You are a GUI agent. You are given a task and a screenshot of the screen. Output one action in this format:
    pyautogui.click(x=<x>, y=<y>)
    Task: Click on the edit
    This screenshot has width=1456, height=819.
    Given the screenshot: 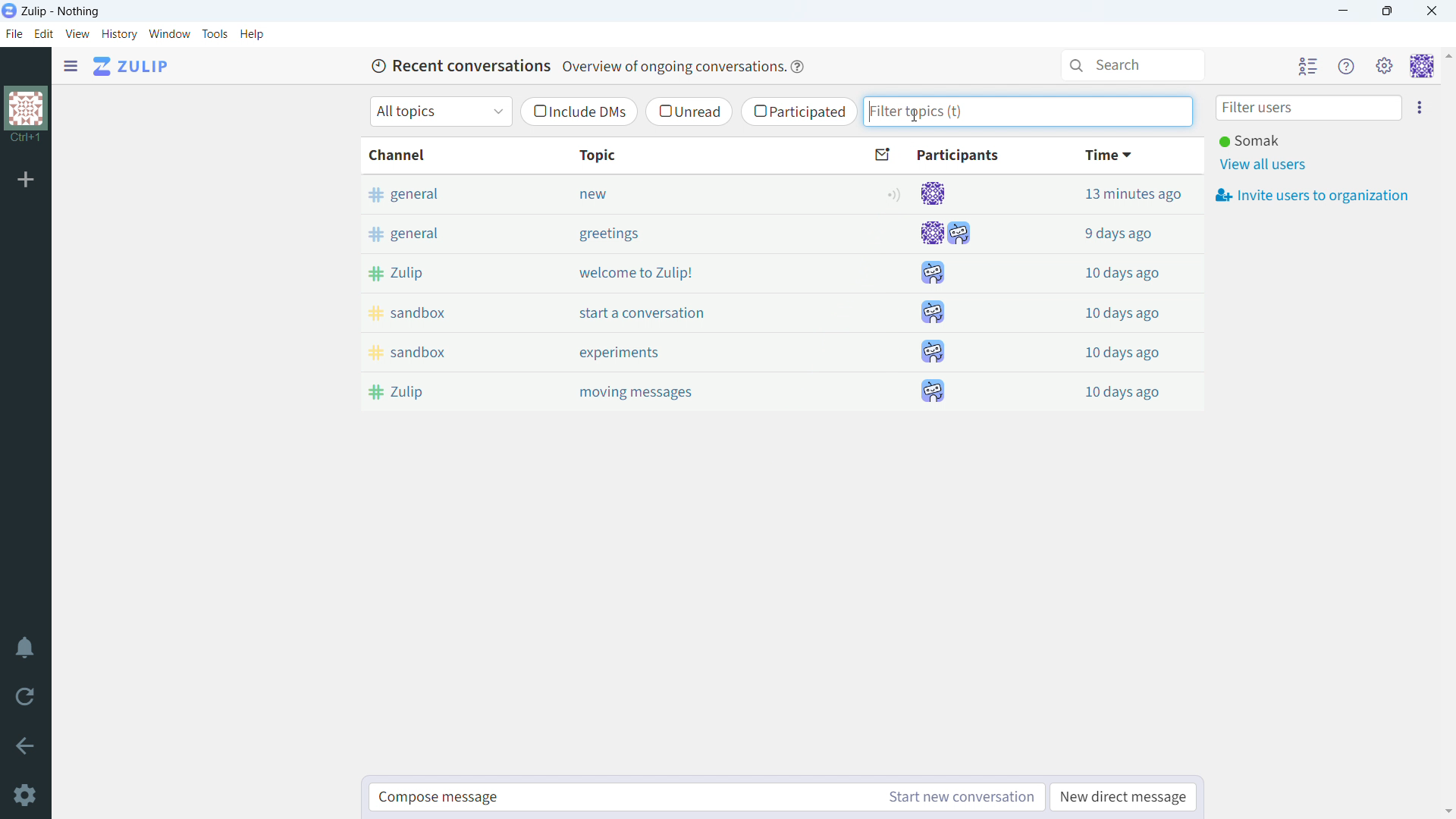 What is the action you would take?
    pyautogui.click(x=45, y=34)
    